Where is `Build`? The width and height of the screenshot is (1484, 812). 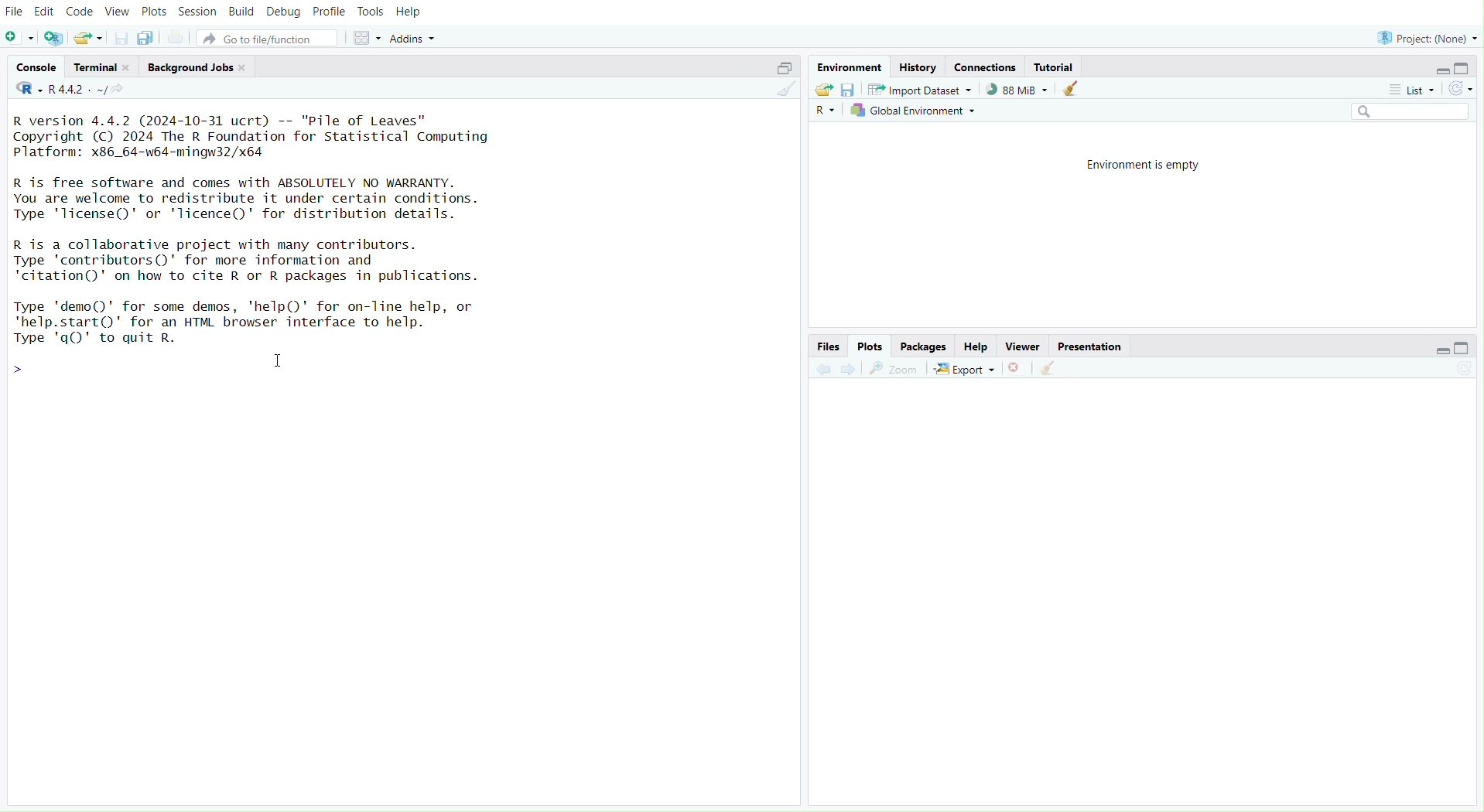
Build is located at coordinates (243, 12).